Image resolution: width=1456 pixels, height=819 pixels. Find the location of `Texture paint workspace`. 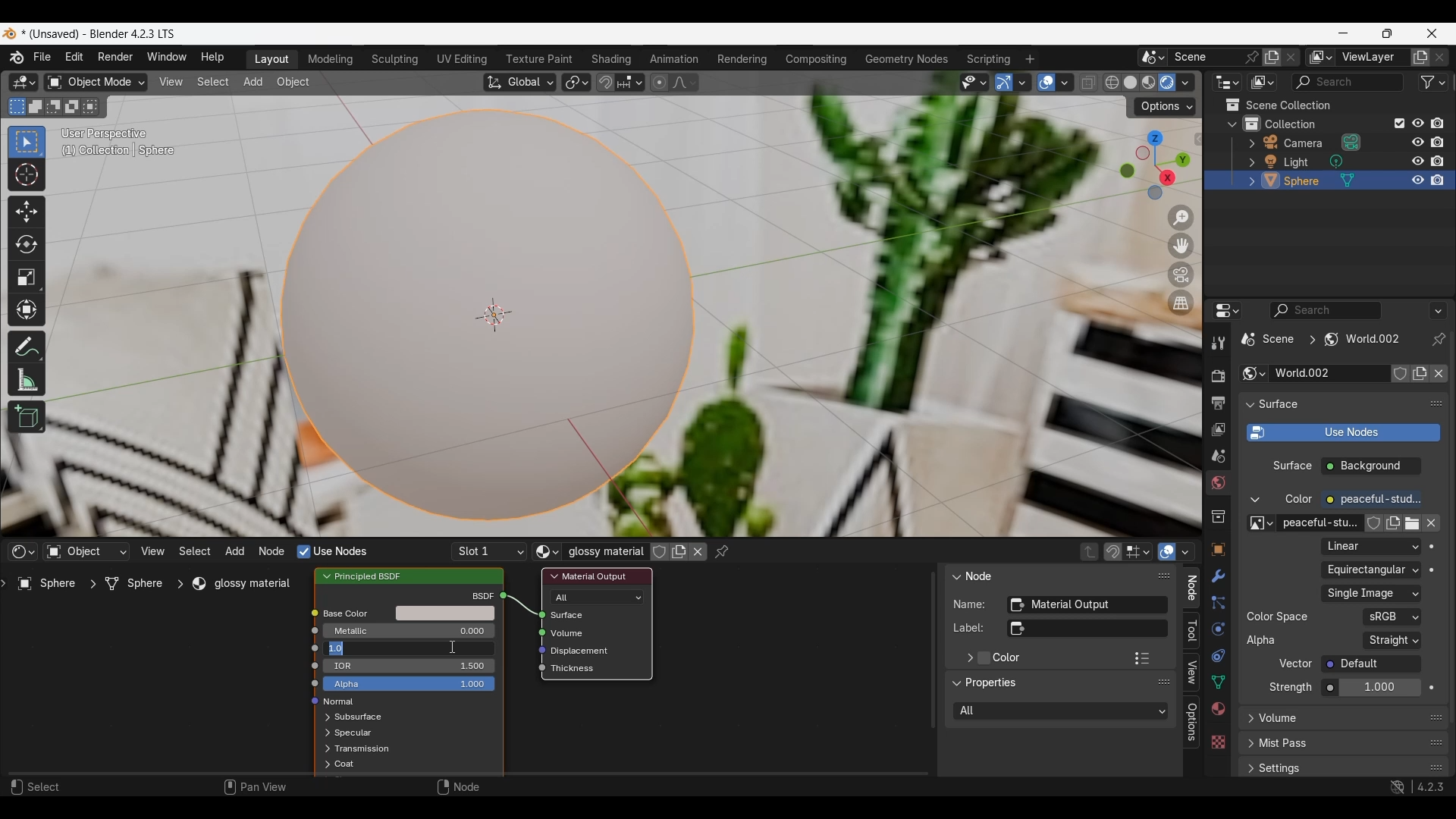

Texture paint workspace is located at coordinates (540, 60).